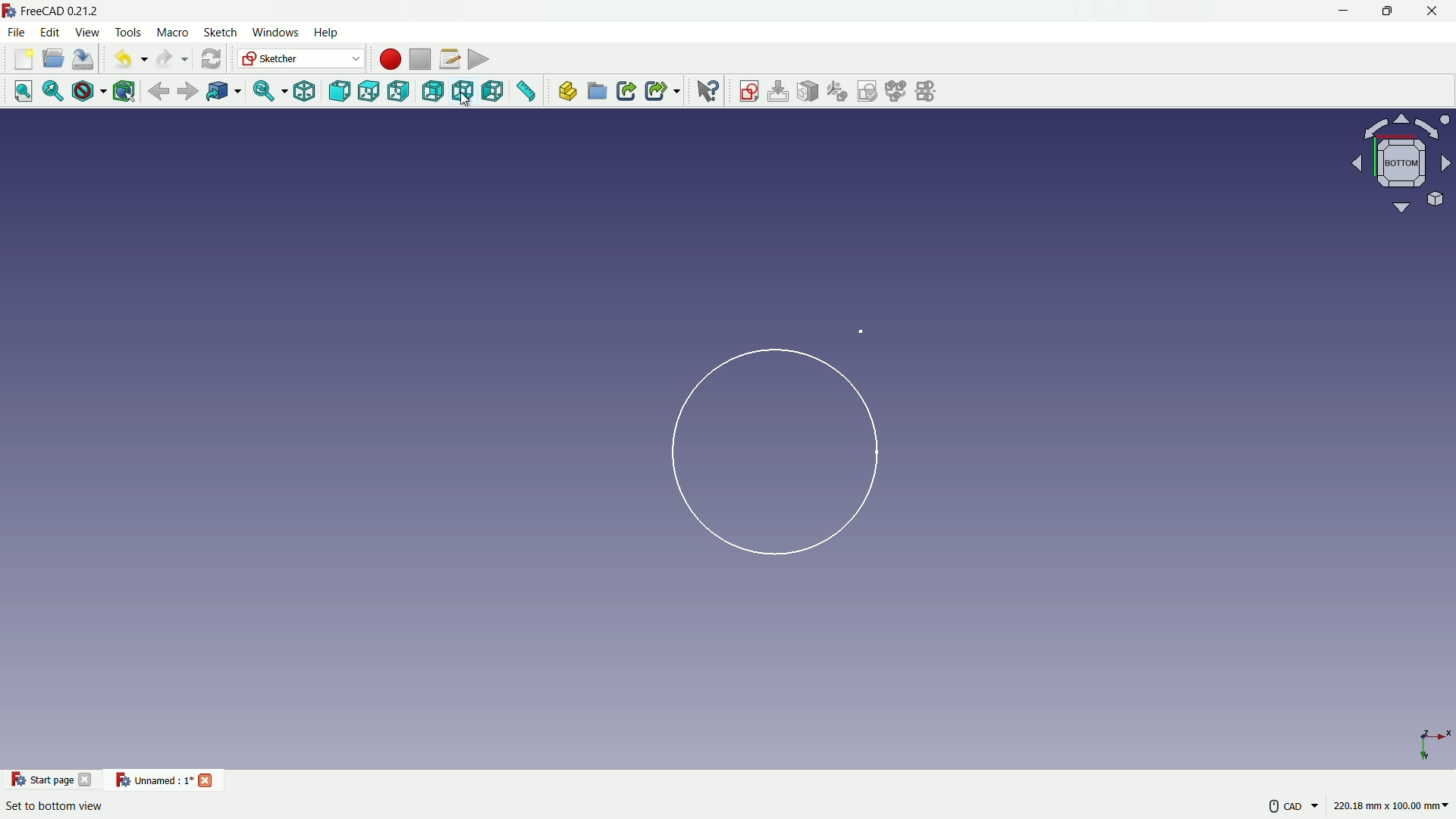 The width and height of the screenshot is (1456, 819). Describe the element at coordinates (210, 58) in the screenshot. I see `refresh` at that location.